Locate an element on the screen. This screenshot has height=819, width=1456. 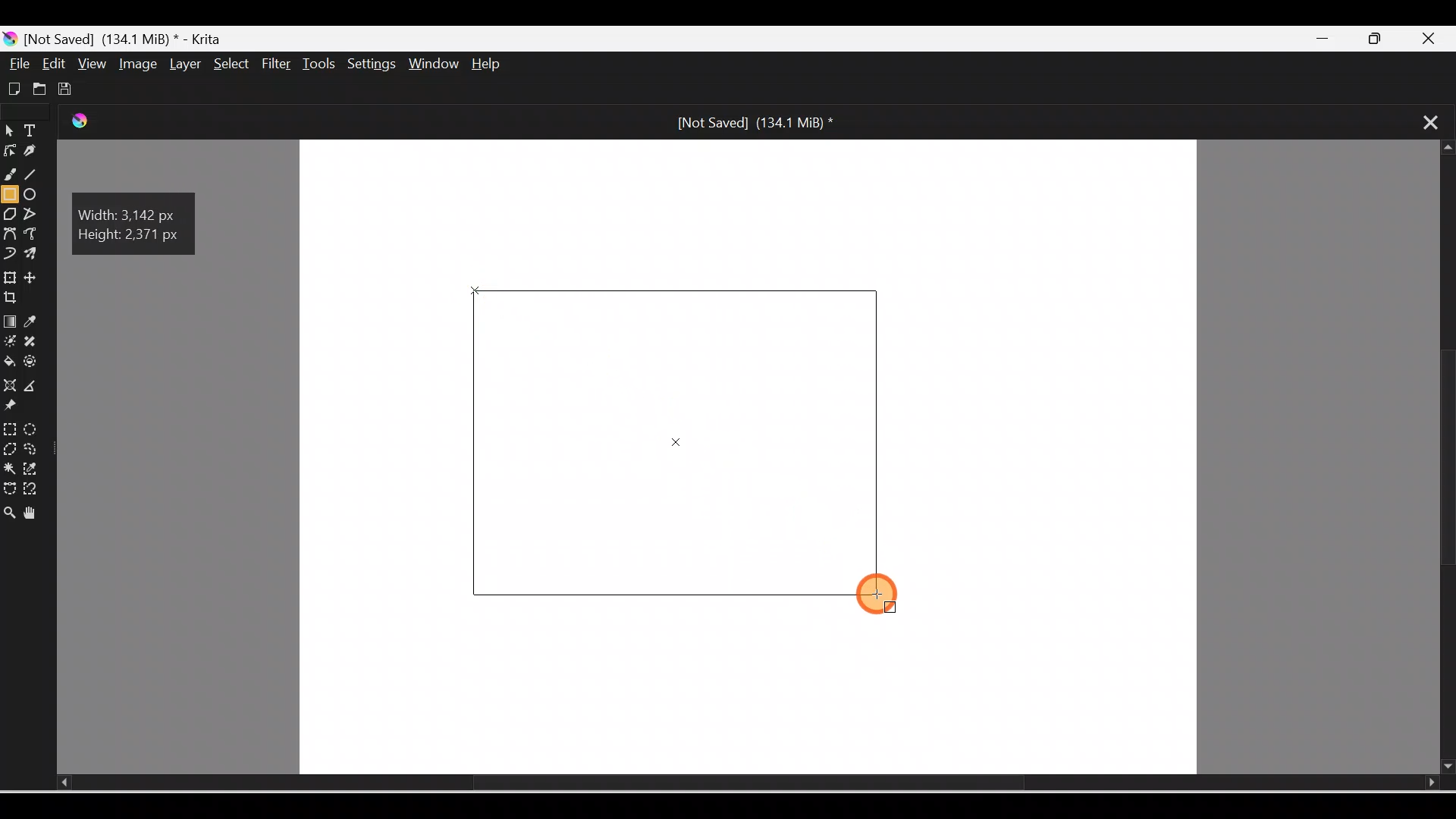
Tools is located at coordinates (322, 64).